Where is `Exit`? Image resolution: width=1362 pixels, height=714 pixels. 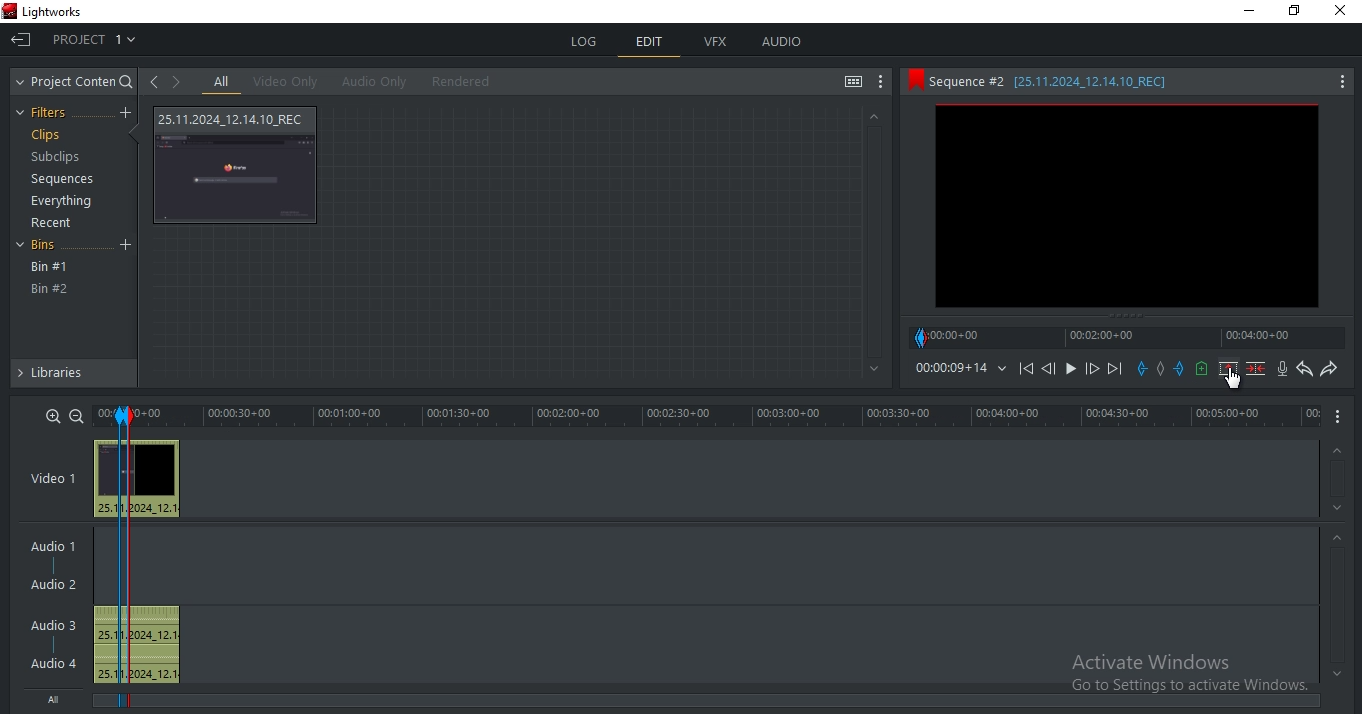 Exit is located at coordinates (21, 38).